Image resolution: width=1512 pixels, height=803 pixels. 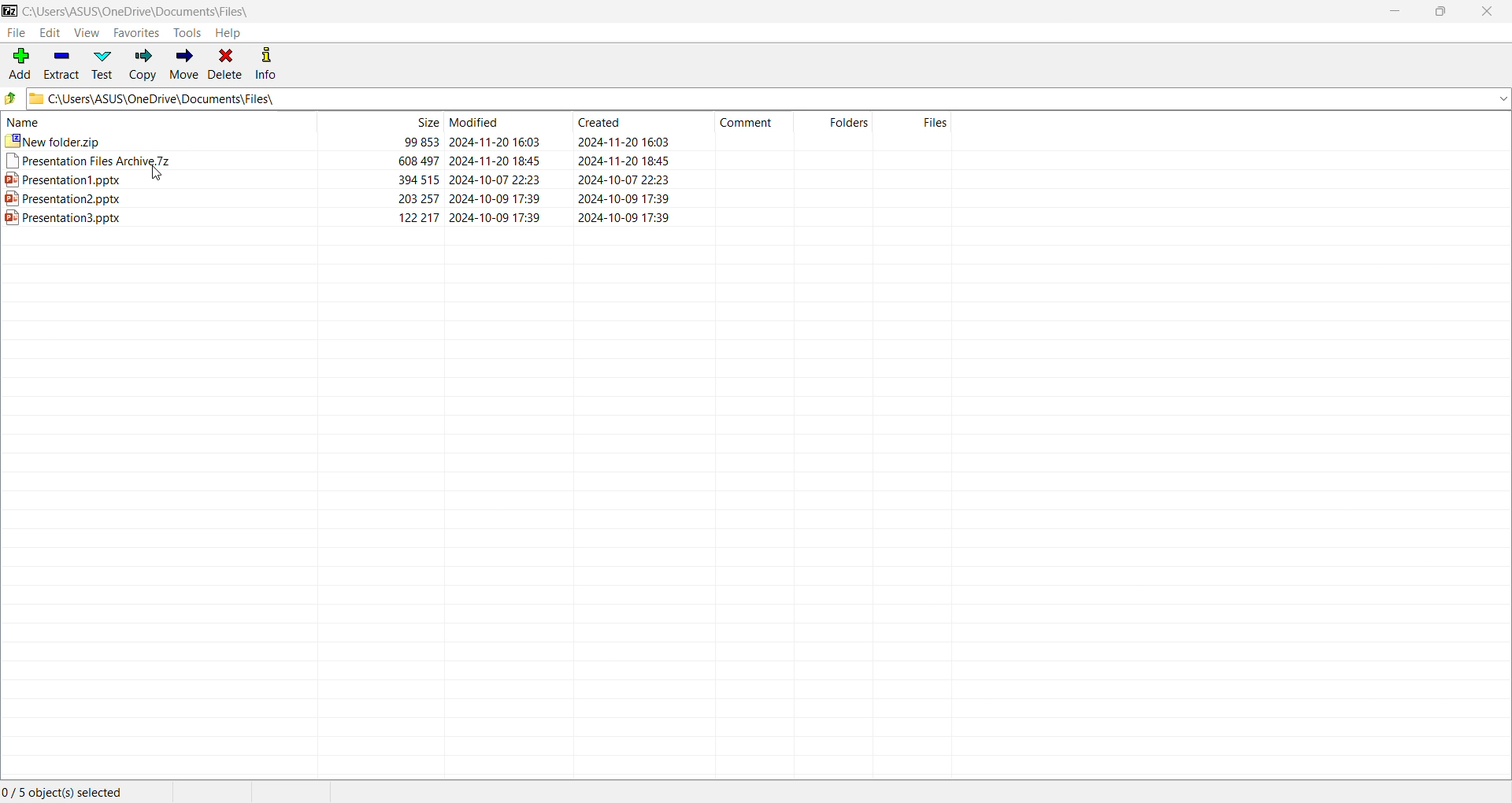 What do you see at coordinates (635, 123) in the screenshot?
I see `created` at bounding box center [635, 123].